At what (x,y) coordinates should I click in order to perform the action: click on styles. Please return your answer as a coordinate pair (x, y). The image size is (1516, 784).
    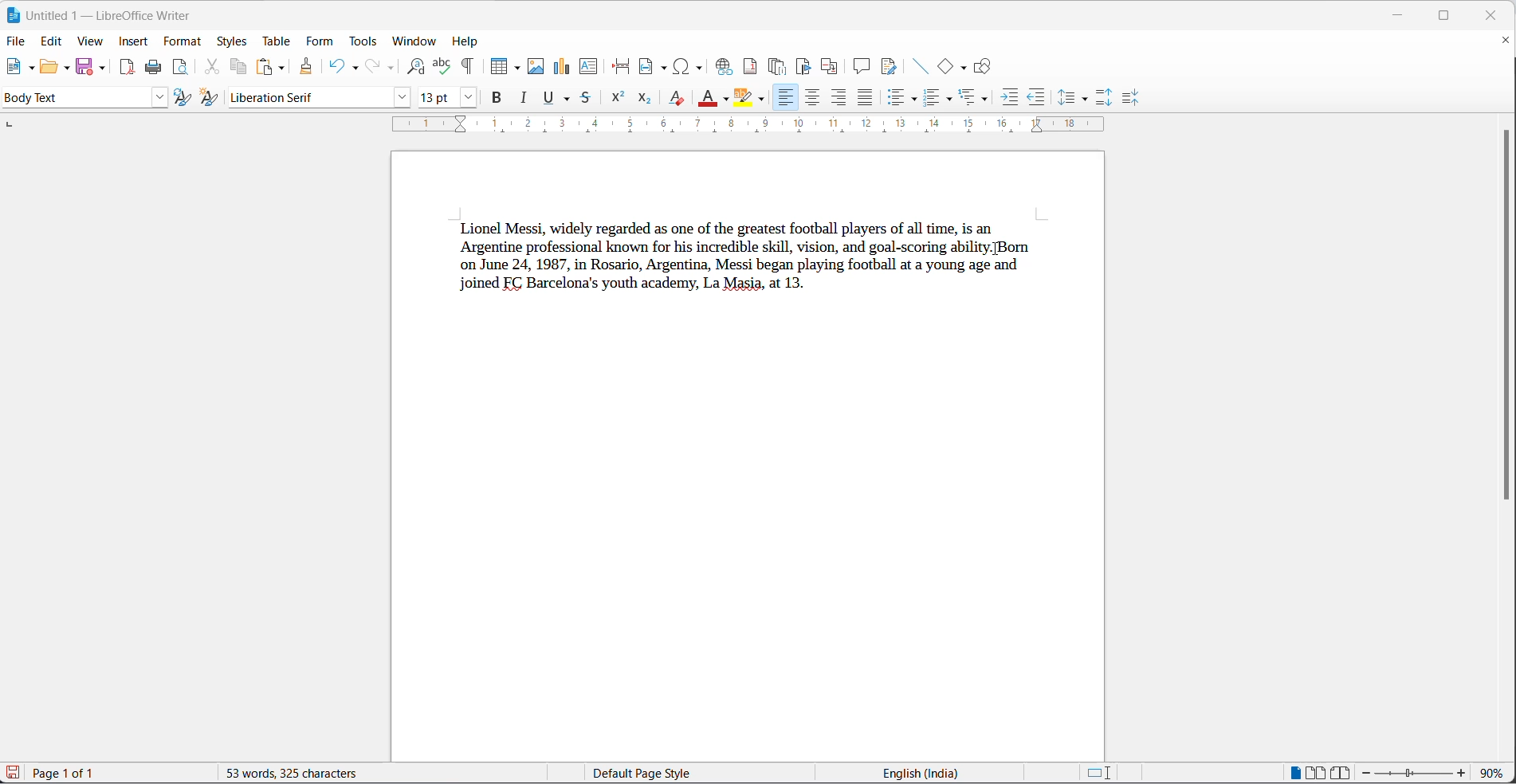
    Looking at the image, I should click on (235, 41).